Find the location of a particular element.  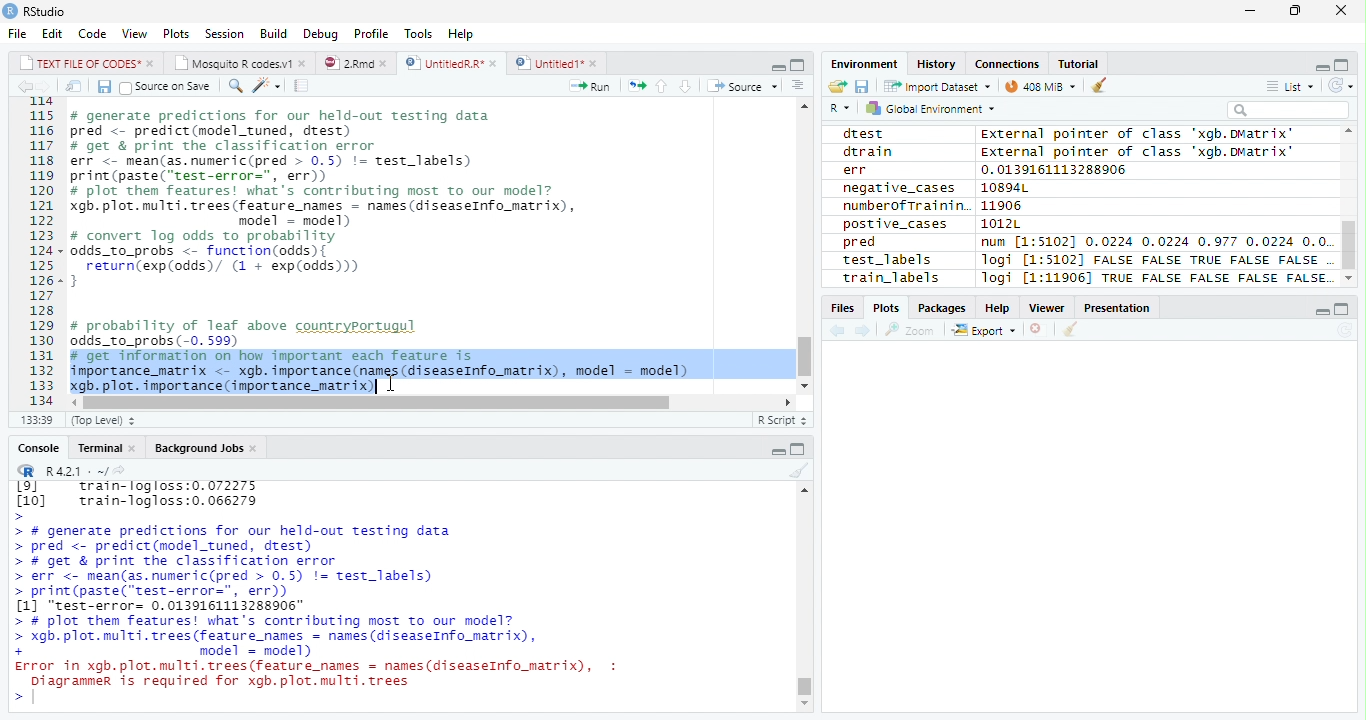

# generate predictions for our held-out testing data
pred <- predict(model_tuned, drest)
# get & print the classification error
err <- mean(as.numeric(pred > 0.5) != test_labels)
print (paste(“test-error=", err))
# plot them features! what's contributing most to our model?
gb. plot. multi. trees (feature_names = names (diseaseInfo_matrix),
model = model)
# convert log odds to probability
odds_to_probs <- function(odds){
return(exp(odds)/ (1 + exp(0dds)))
3 is located at coordinates (334, 204).